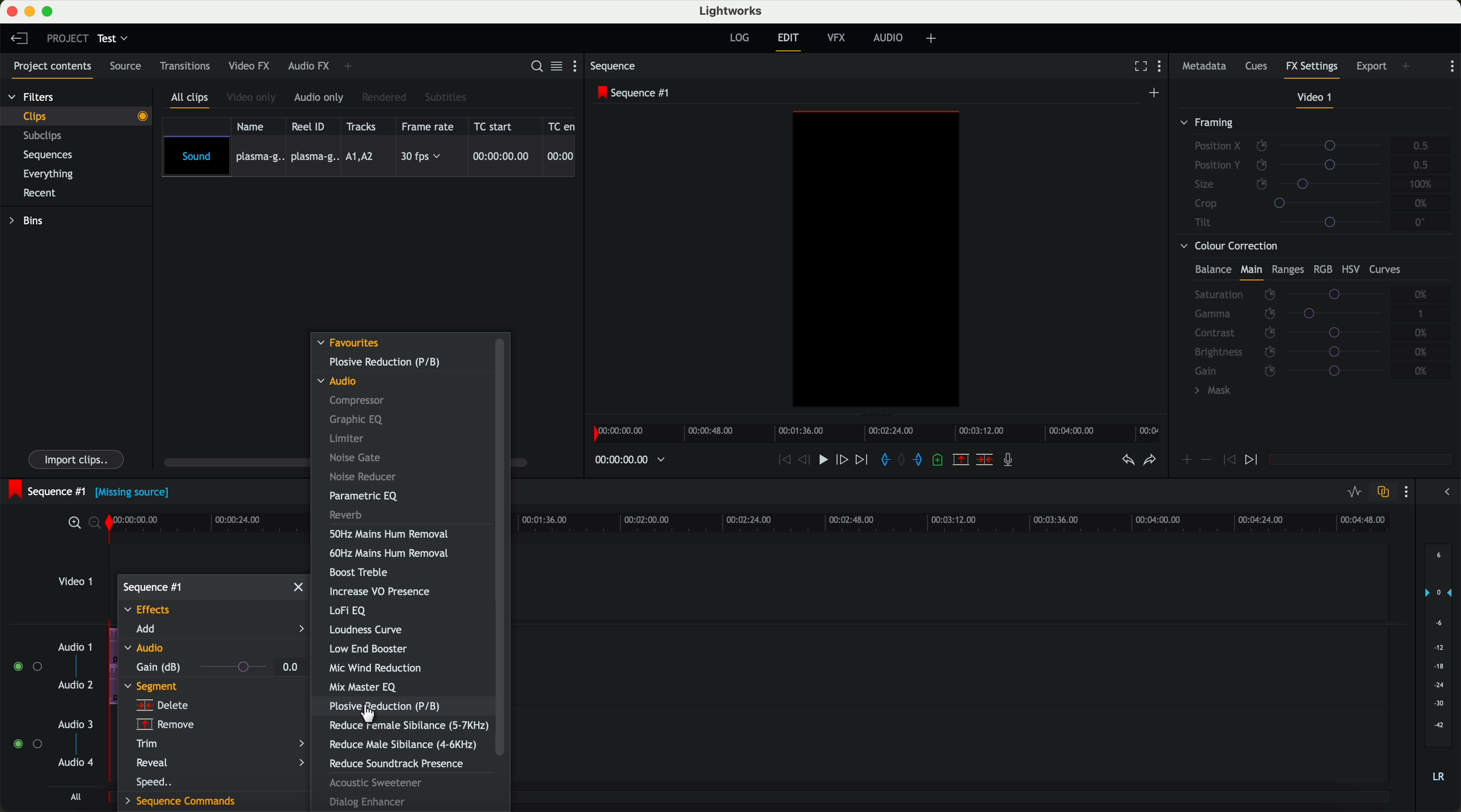  I want to click on test tab, so click(114, 36).